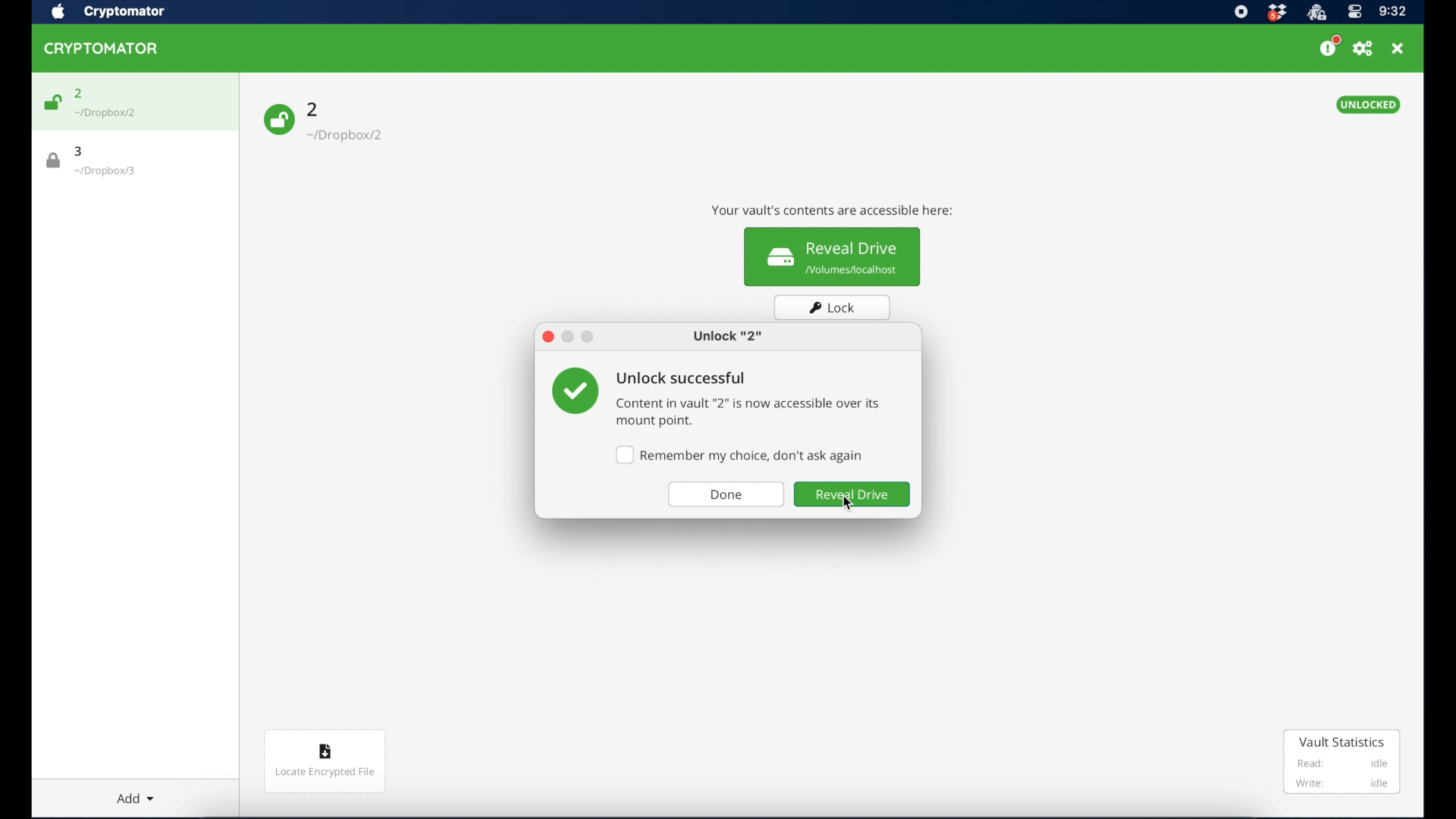 The height and width of the screenshot is (819, 1456). What do you see at coordinates (730, 337) in the screenshot?
I see `unlock ` at bounding box center [730, 337].